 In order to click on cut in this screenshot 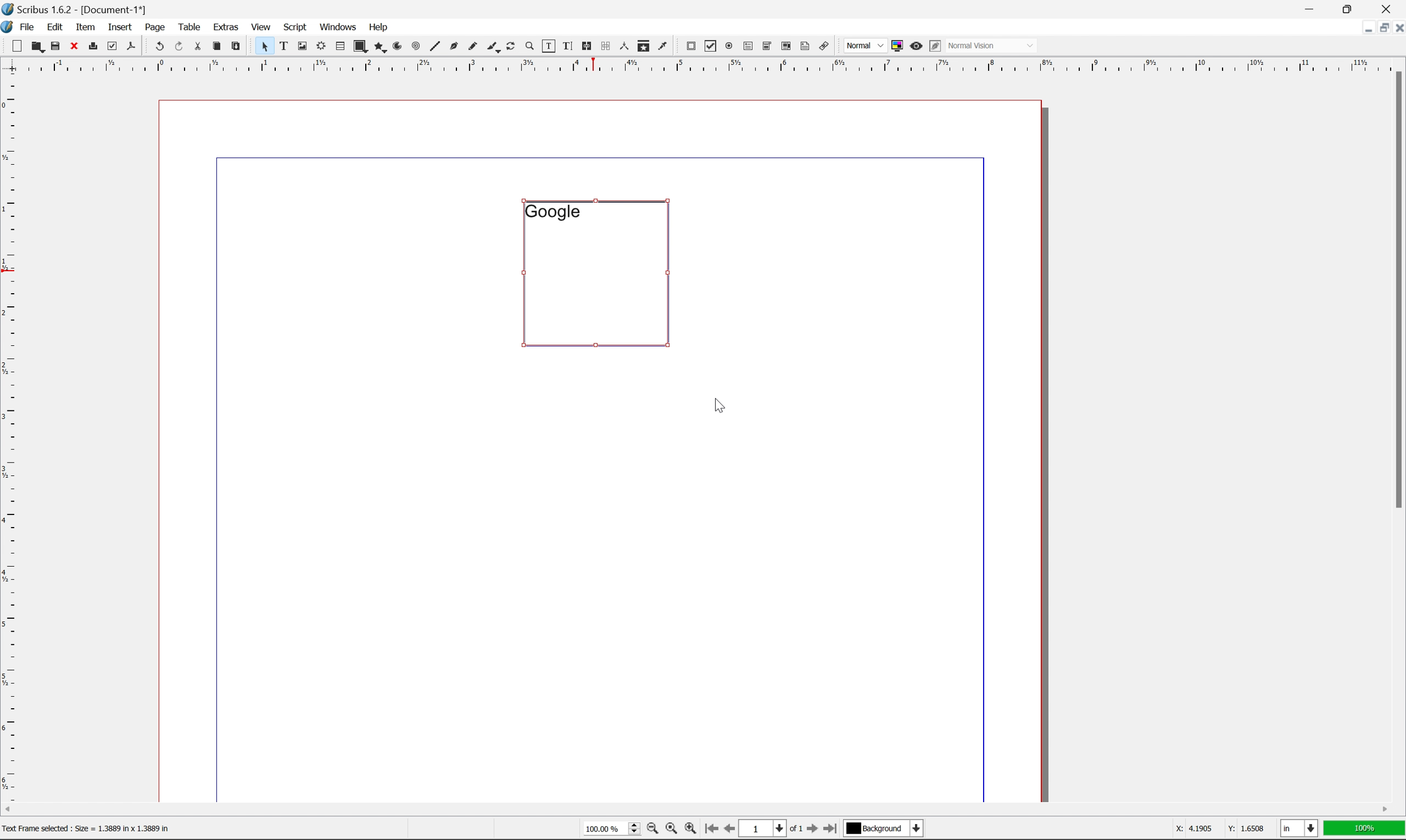, I will do `click(198, 46)`.